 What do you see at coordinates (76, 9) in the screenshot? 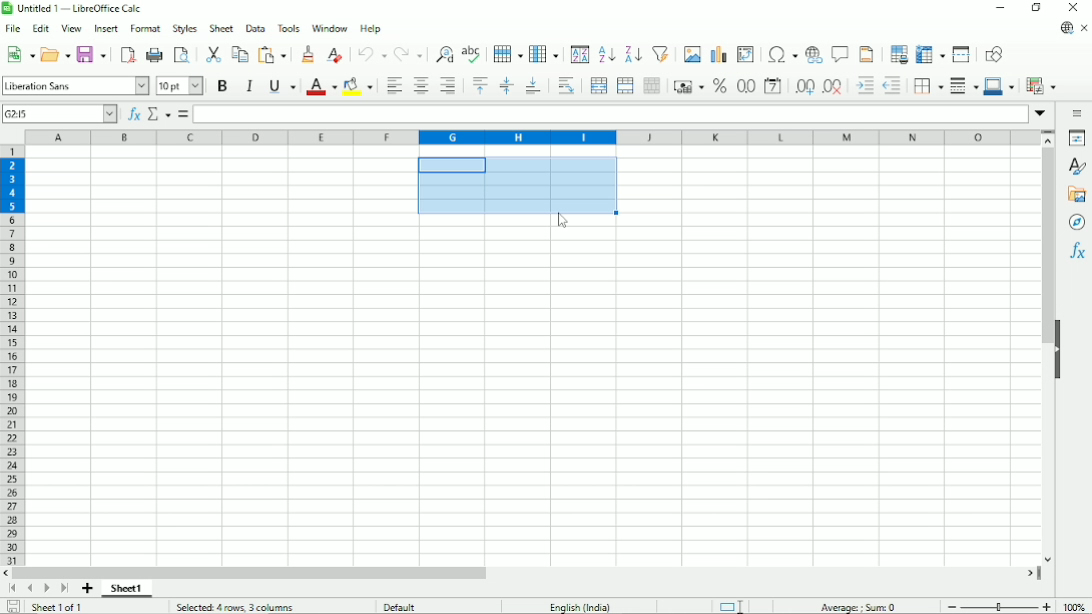
I see `Title` at bounding box center [76, 9].